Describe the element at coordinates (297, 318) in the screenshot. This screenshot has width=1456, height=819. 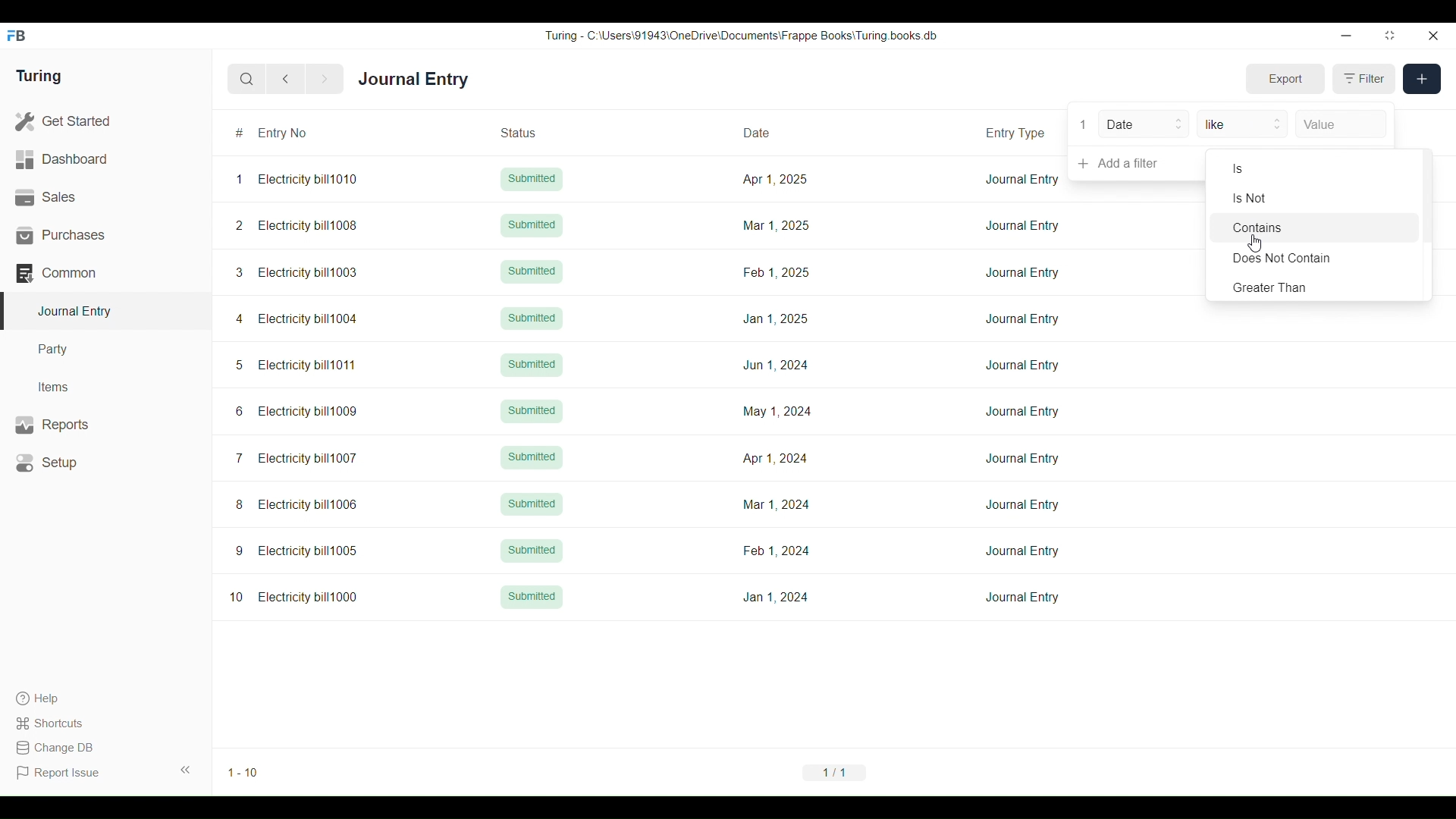
I see `4 Electricity bill1004` at that location.